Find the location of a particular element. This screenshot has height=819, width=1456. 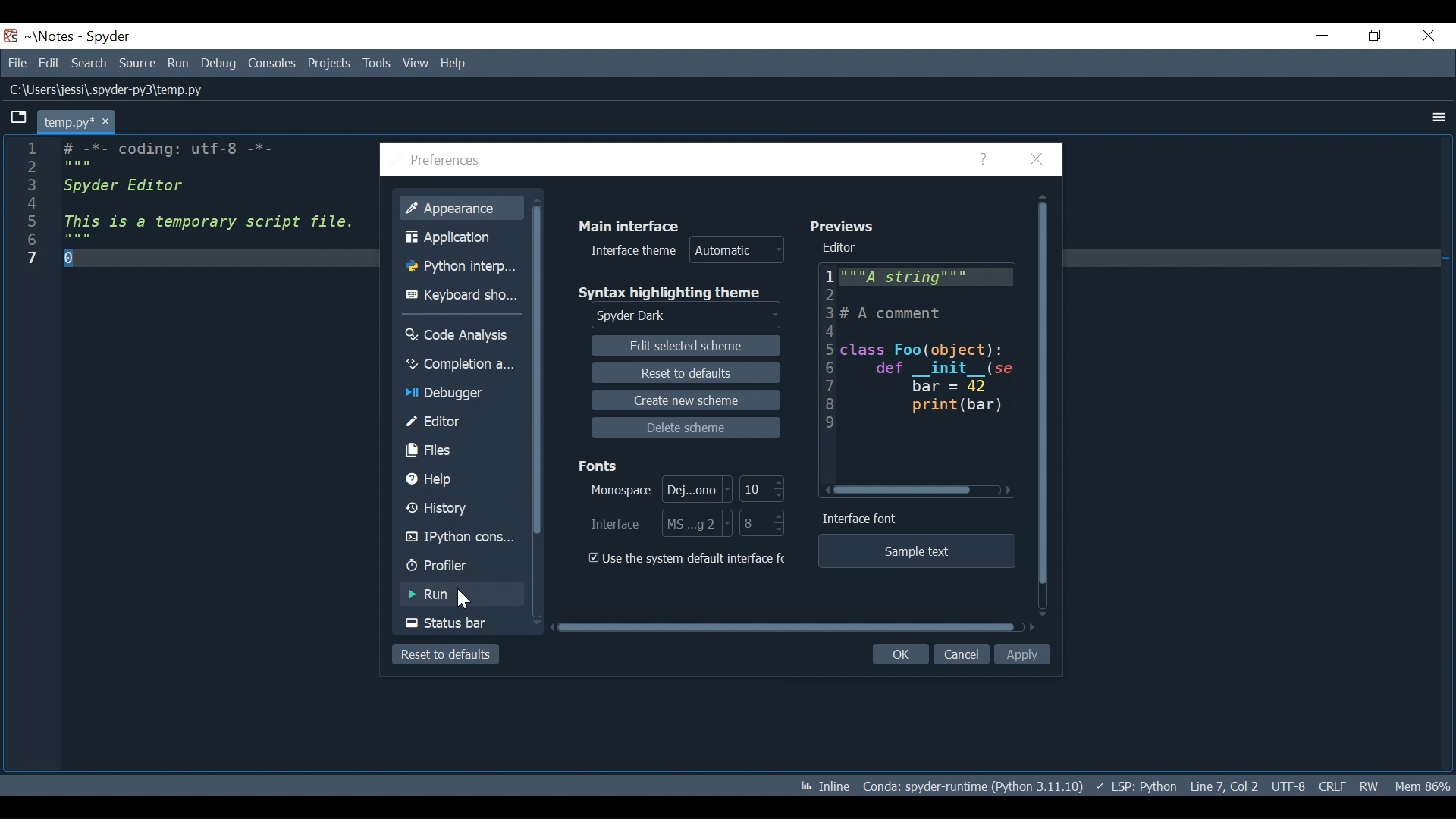

Select Interface Font Size is located at coordinates (764, 526).